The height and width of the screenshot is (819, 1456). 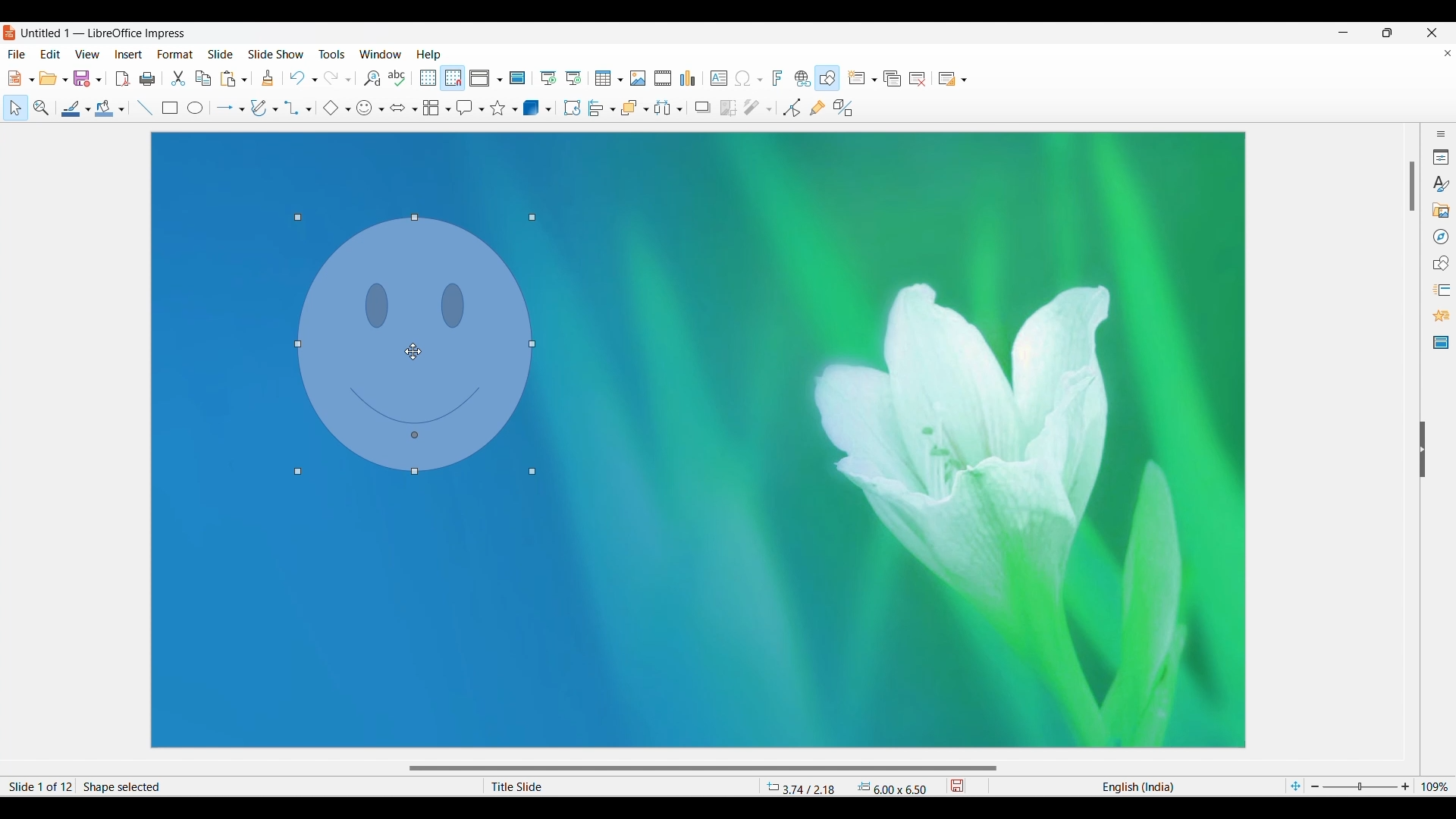 I want to click on Line color selected, so click(x=71, y=108).